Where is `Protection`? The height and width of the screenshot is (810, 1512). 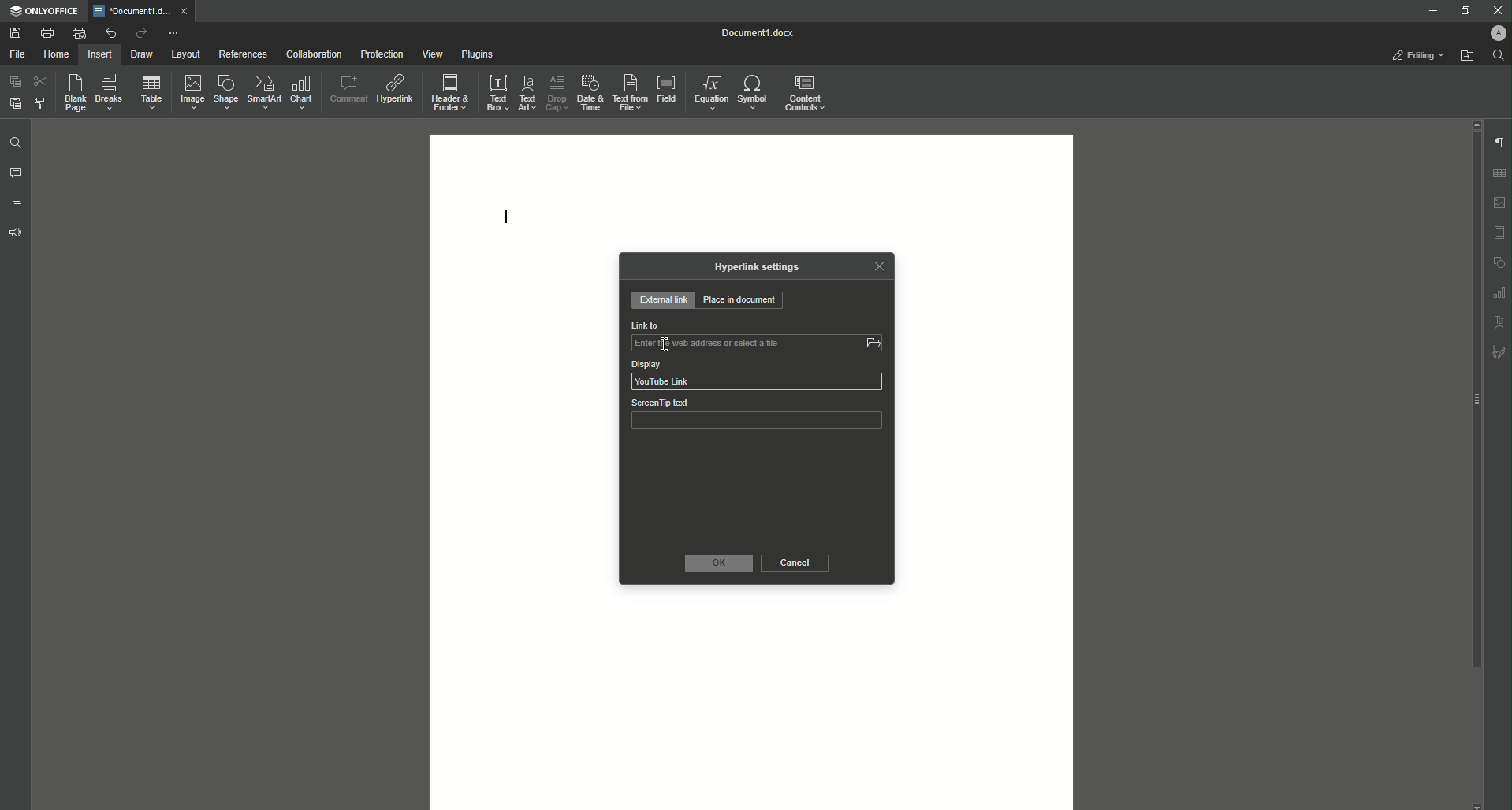 Protection is located at coordinates (382, 55).